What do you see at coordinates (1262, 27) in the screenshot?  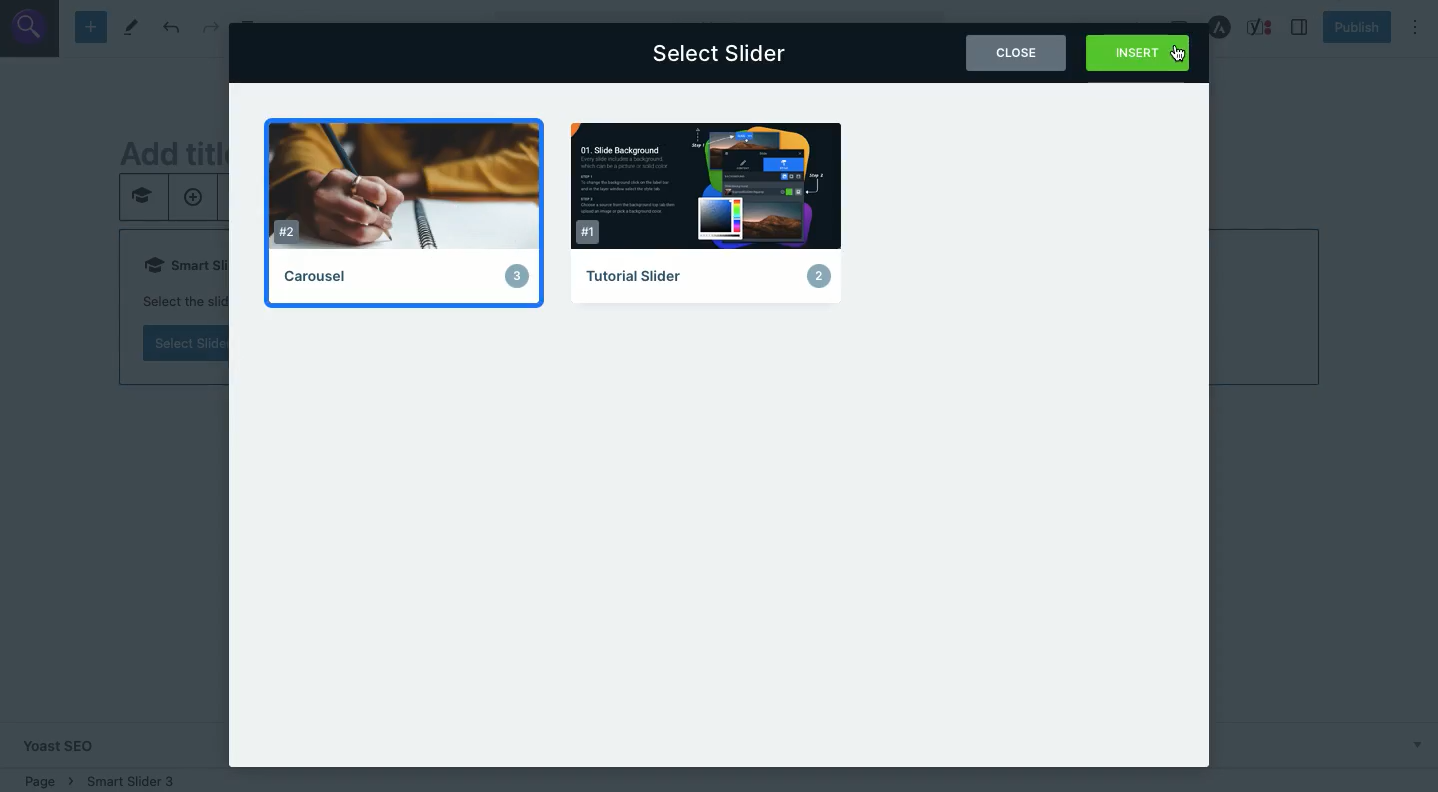 I see `Yoast` at bounding box center [1262, 27].